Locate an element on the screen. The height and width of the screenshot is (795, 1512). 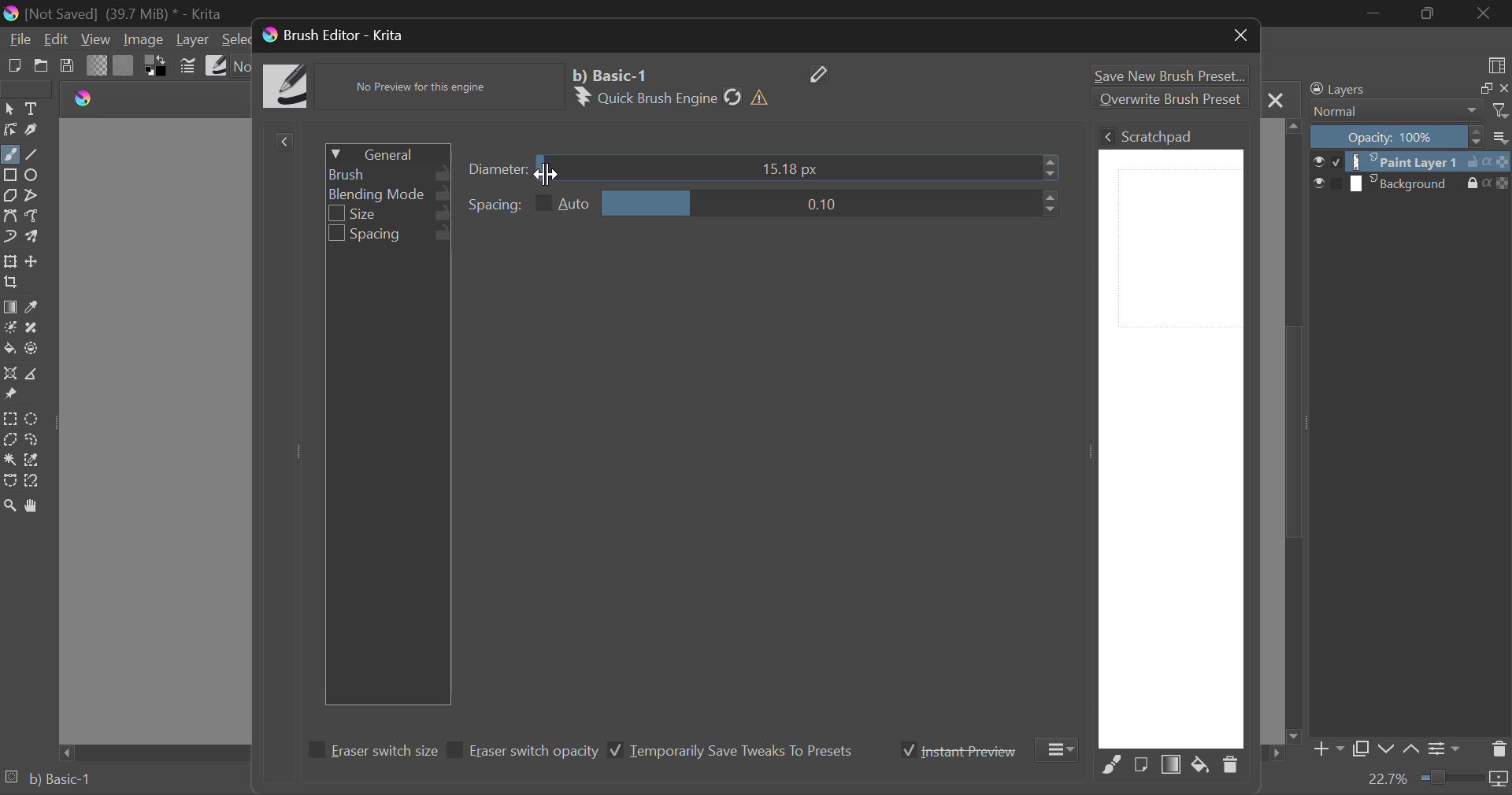
Ellipses is located at coordinates (35, 176).